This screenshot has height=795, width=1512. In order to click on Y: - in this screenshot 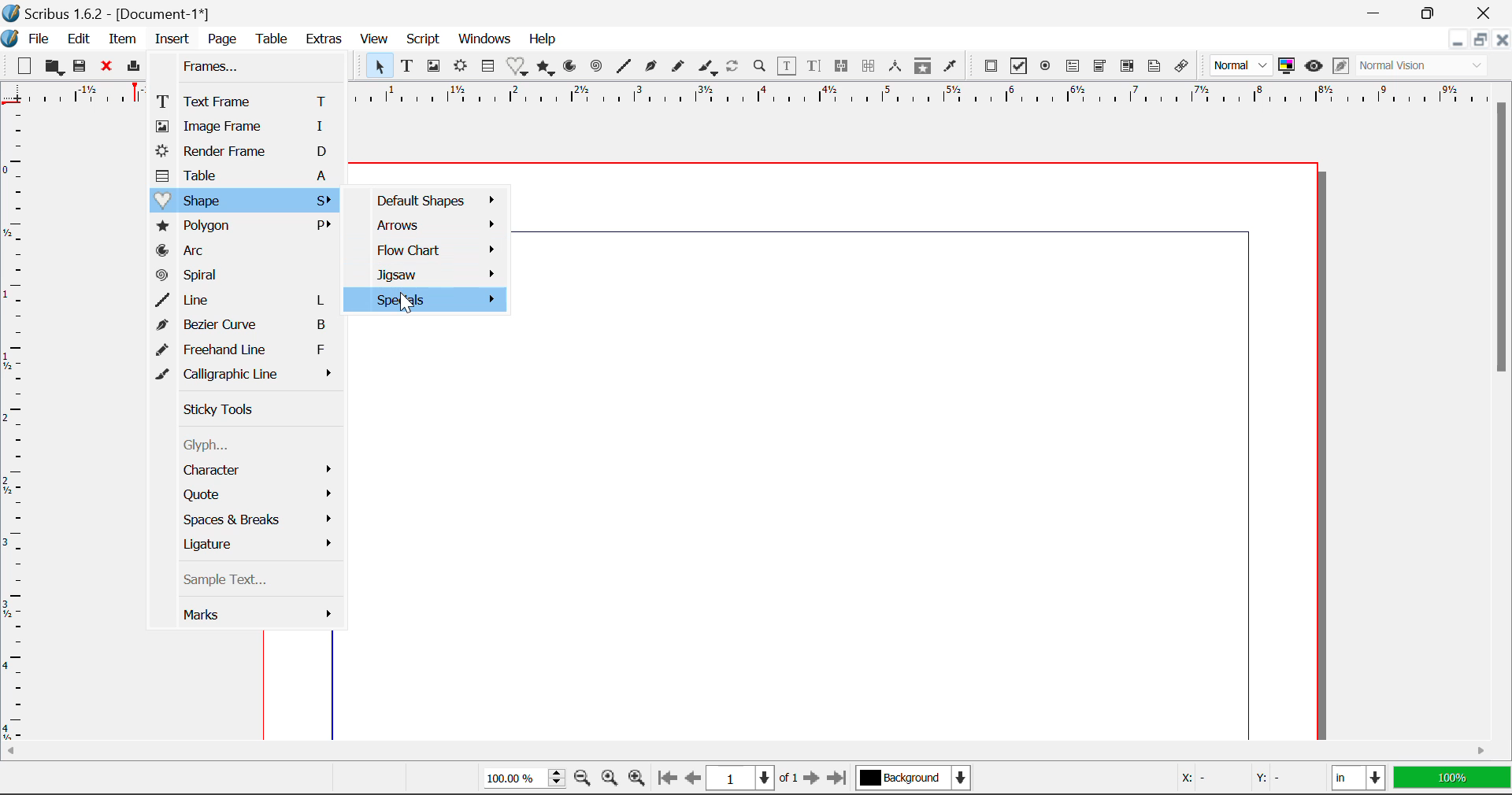, I will do `click(1284, 778)`.